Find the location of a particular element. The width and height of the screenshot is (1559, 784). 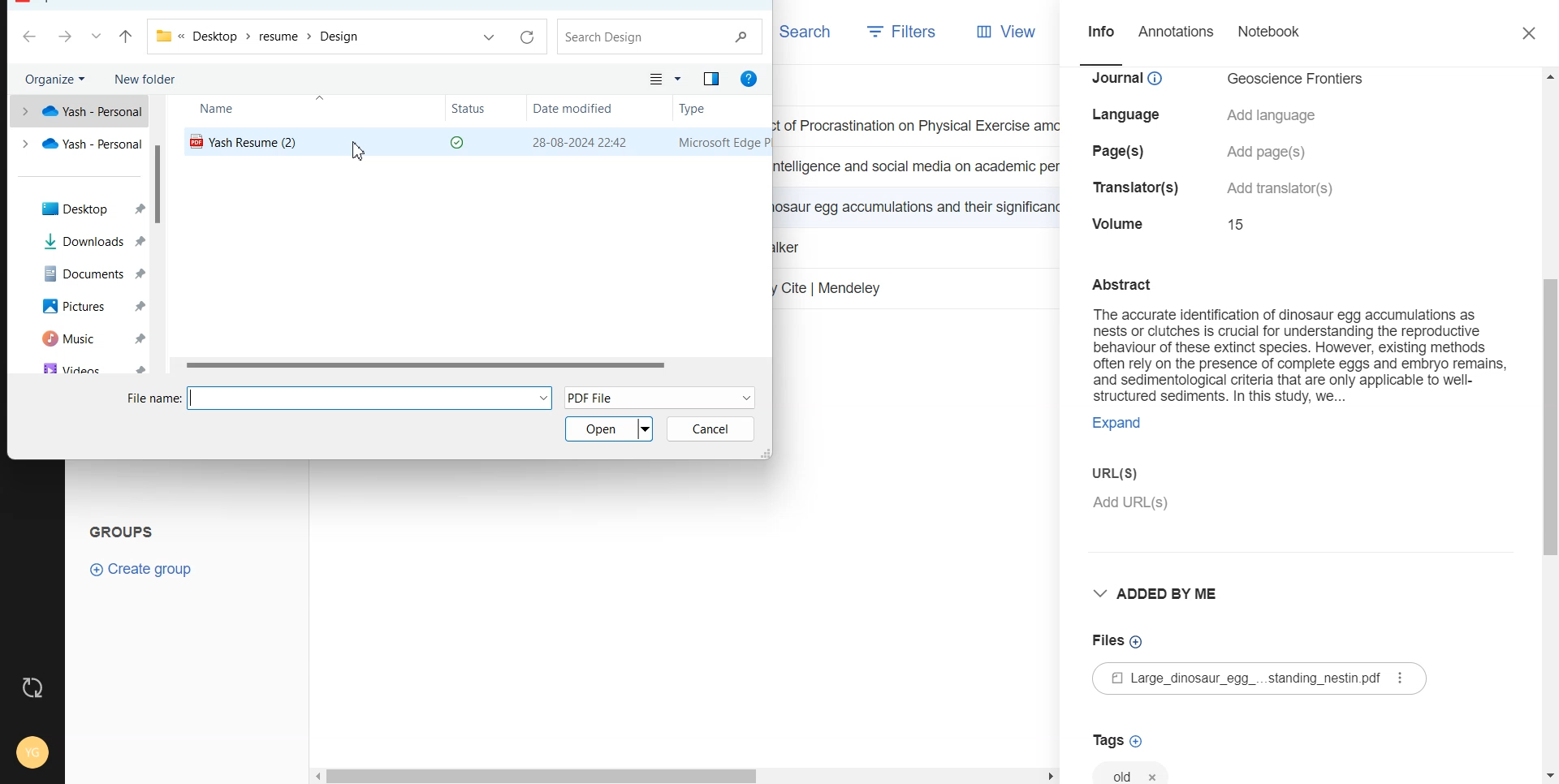

Get Help is located at coordinates (751, 80).